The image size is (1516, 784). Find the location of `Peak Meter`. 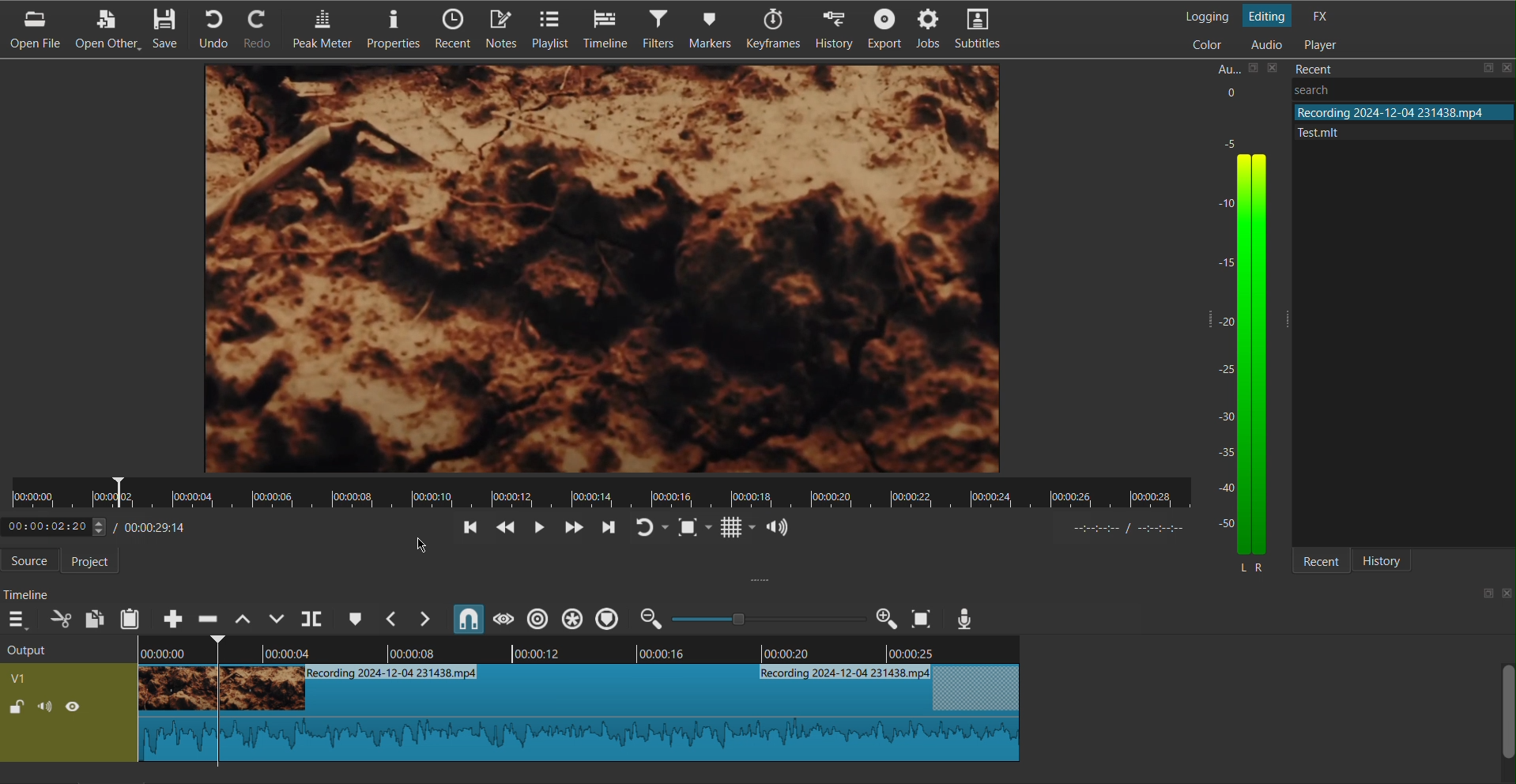

Peak Meter is located at coordinates (319, 30).